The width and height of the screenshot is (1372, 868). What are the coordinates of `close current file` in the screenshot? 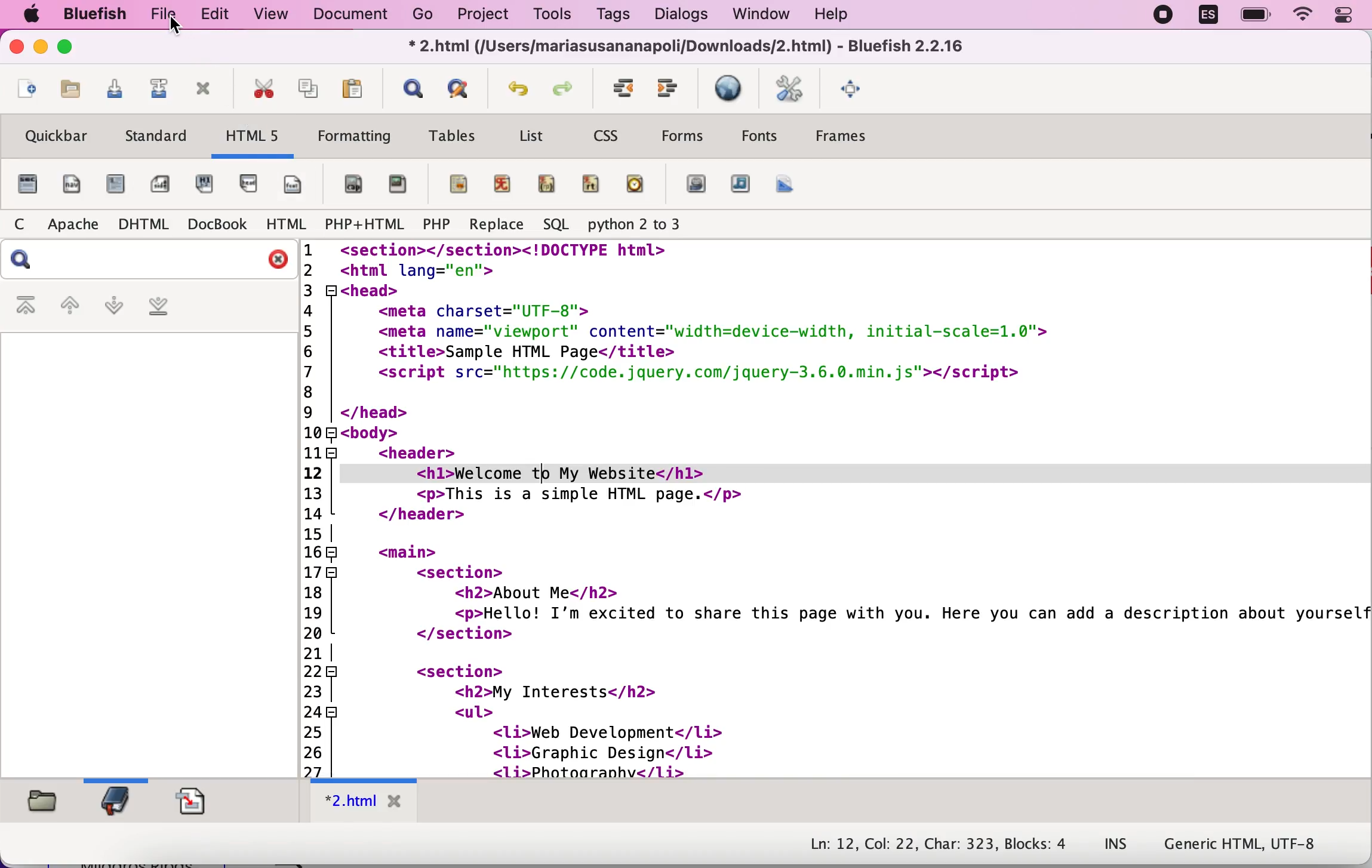 It's located at (202, 91).